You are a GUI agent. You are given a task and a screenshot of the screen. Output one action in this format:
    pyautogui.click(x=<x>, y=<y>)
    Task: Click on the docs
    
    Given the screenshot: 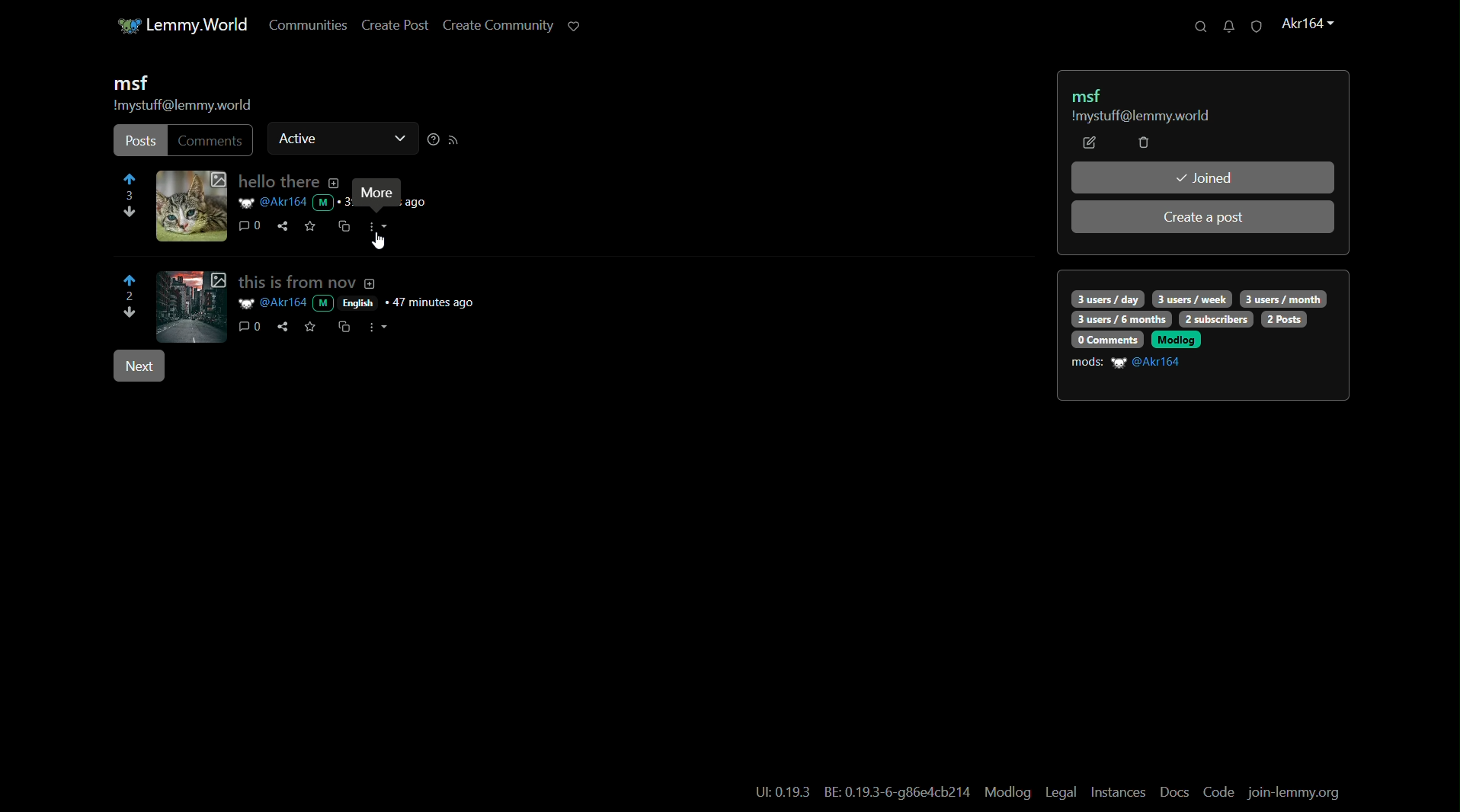 What is the action you would take?
    pyautogui.click(x=1175, y=792)
    